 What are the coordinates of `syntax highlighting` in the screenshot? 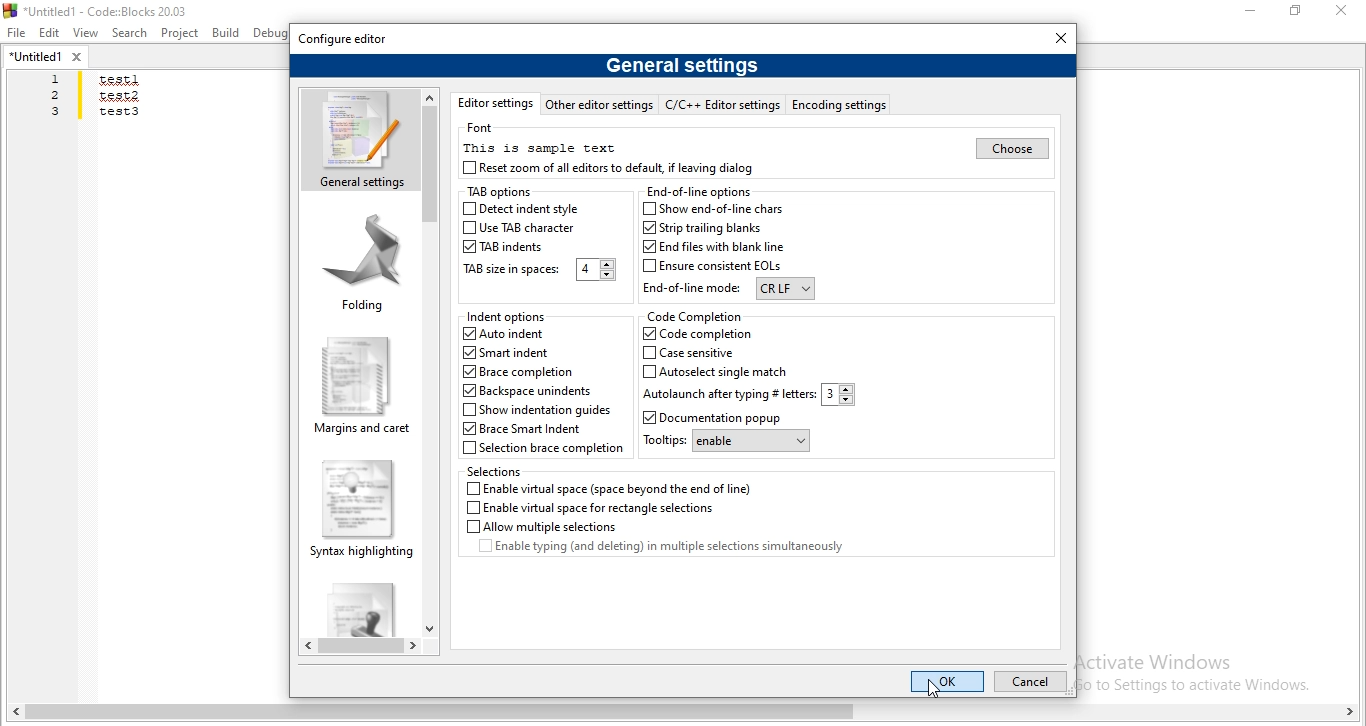 It's located at (357, 508).